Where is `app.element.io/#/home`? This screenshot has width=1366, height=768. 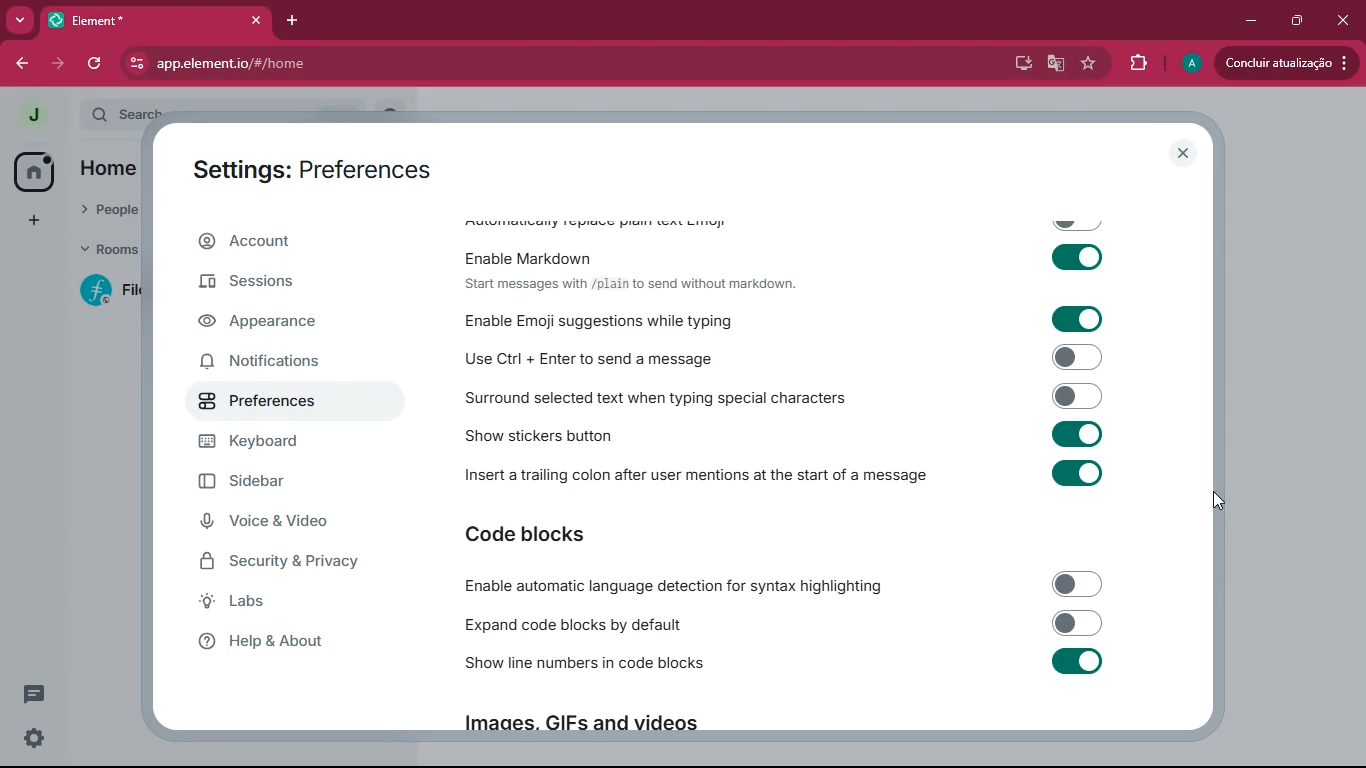
app.element.io/#/home is located at coordinates (314, 65).